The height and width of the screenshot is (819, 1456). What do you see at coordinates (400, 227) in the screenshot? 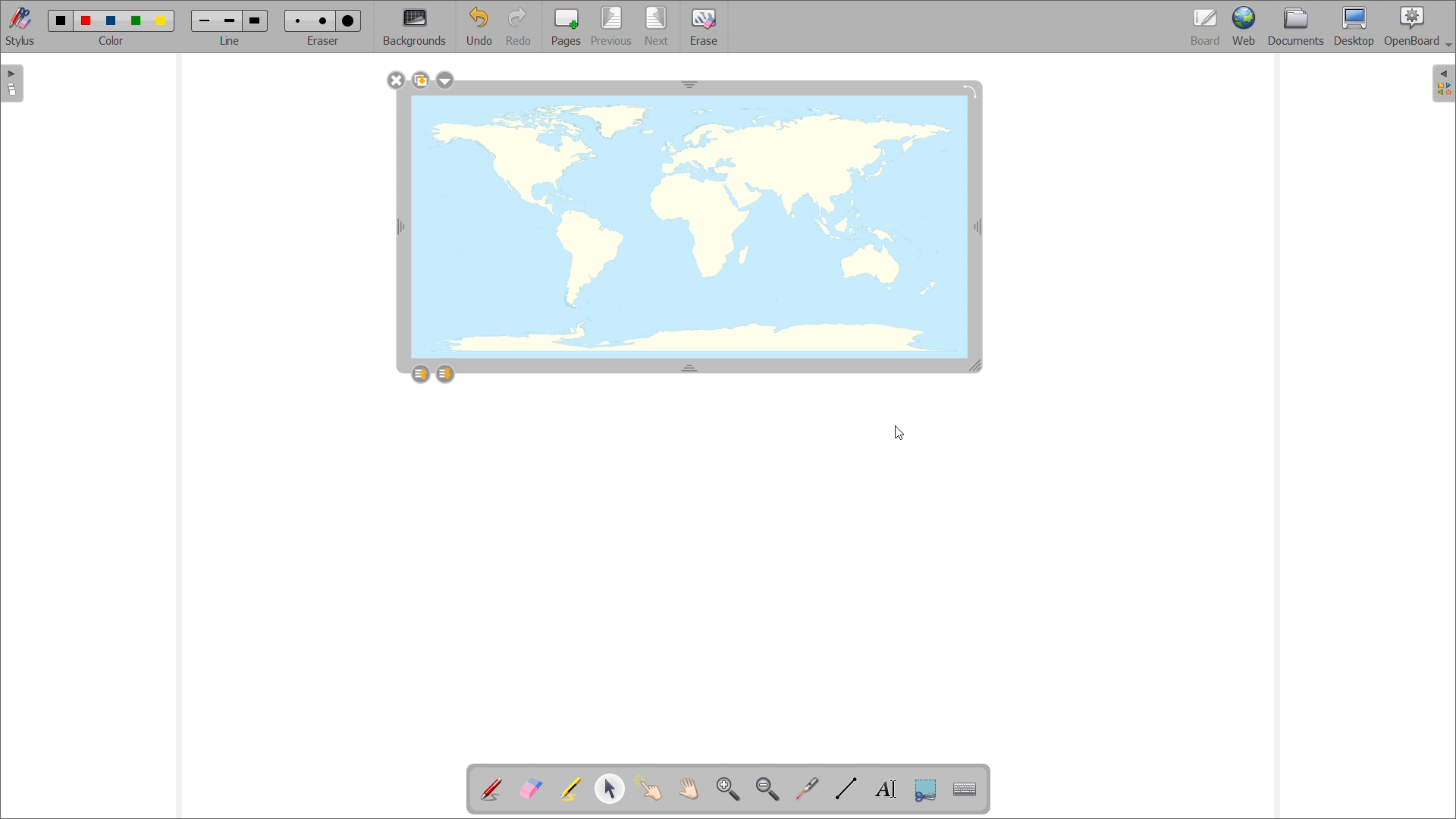
I see `resize` at bounding box center [400, 227].